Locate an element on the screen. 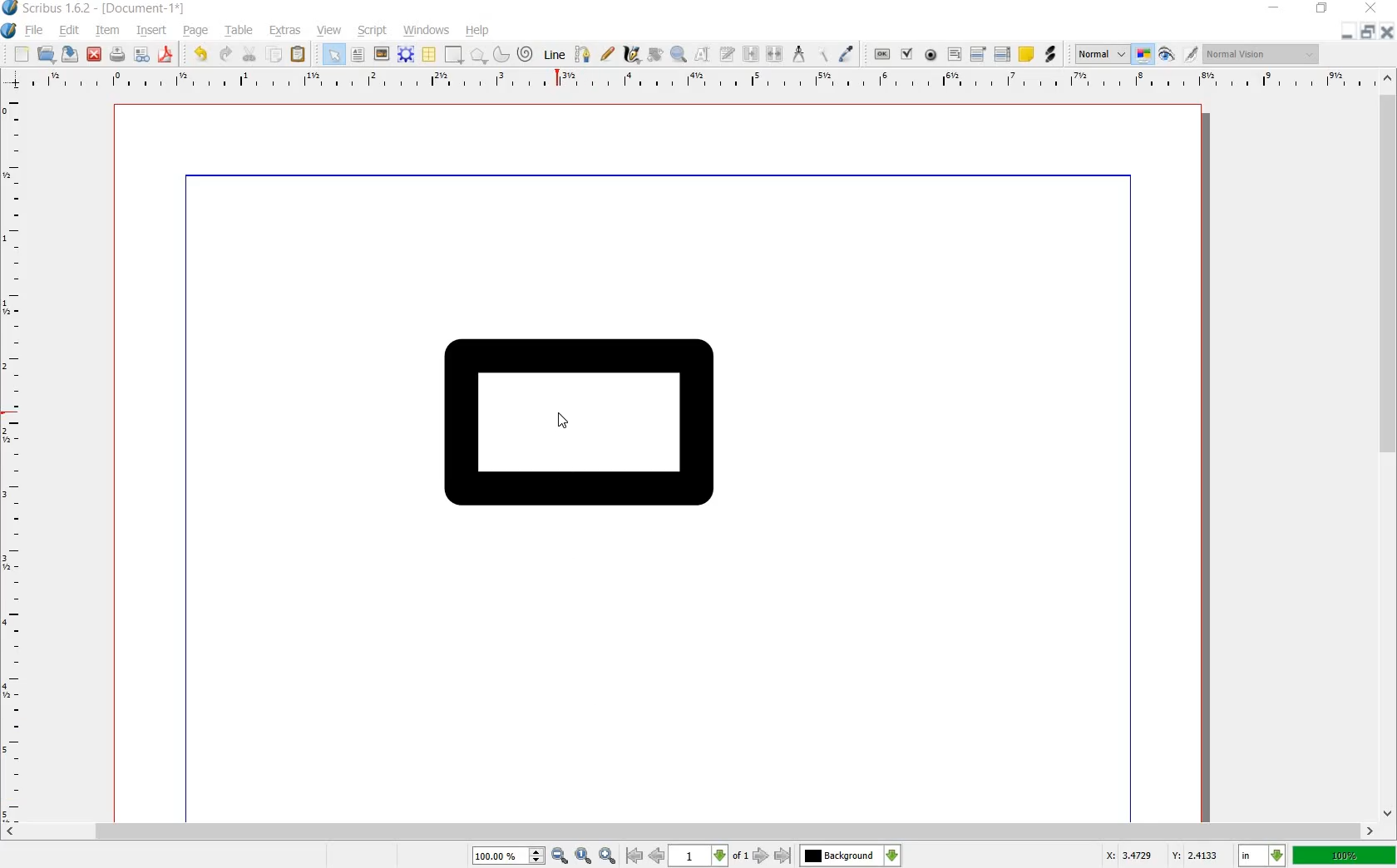 This screenshot has height=868, width=1397. redo is located at coordinates (225, 55).